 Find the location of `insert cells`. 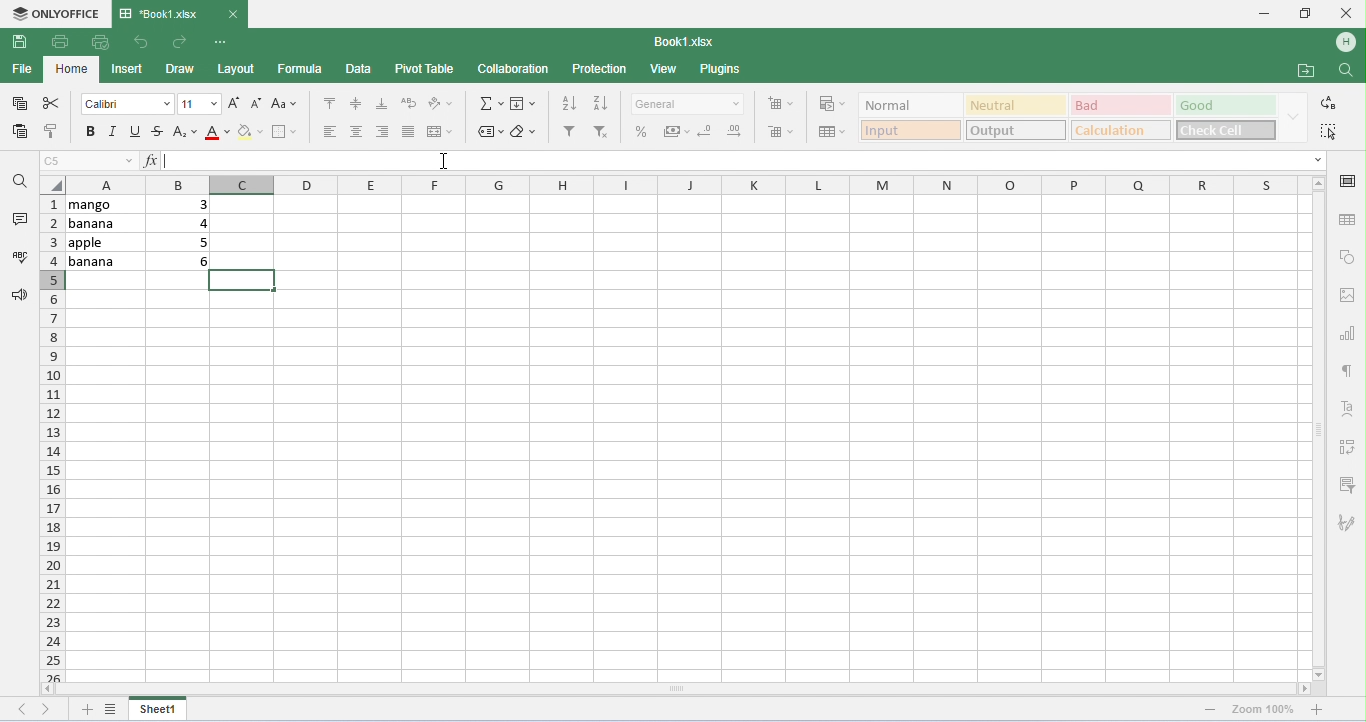

insert cells is located at coordinates (779, 104).